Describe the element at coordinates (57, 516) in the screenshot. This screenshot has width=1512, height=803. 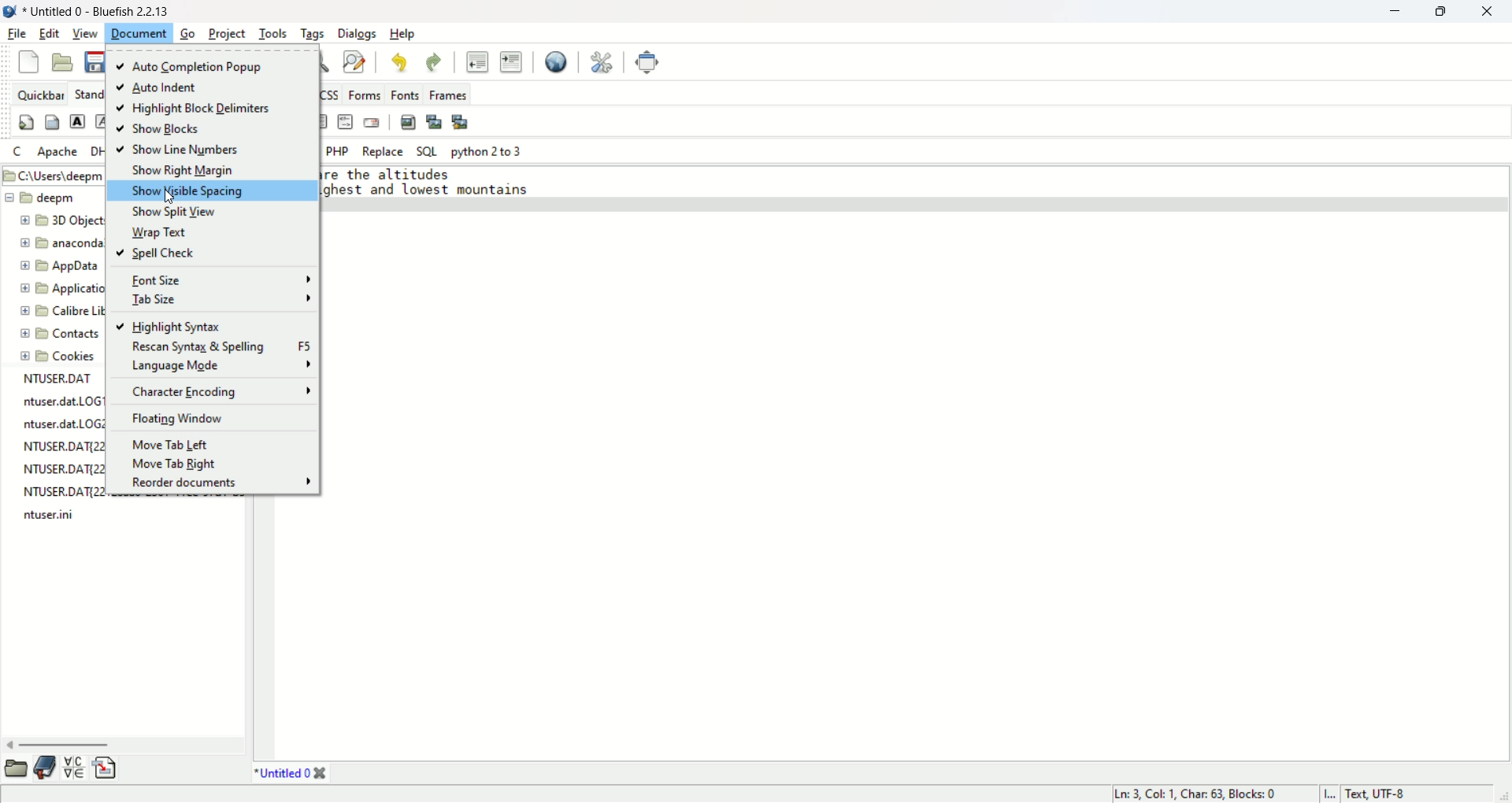
I see `file name` at that location.